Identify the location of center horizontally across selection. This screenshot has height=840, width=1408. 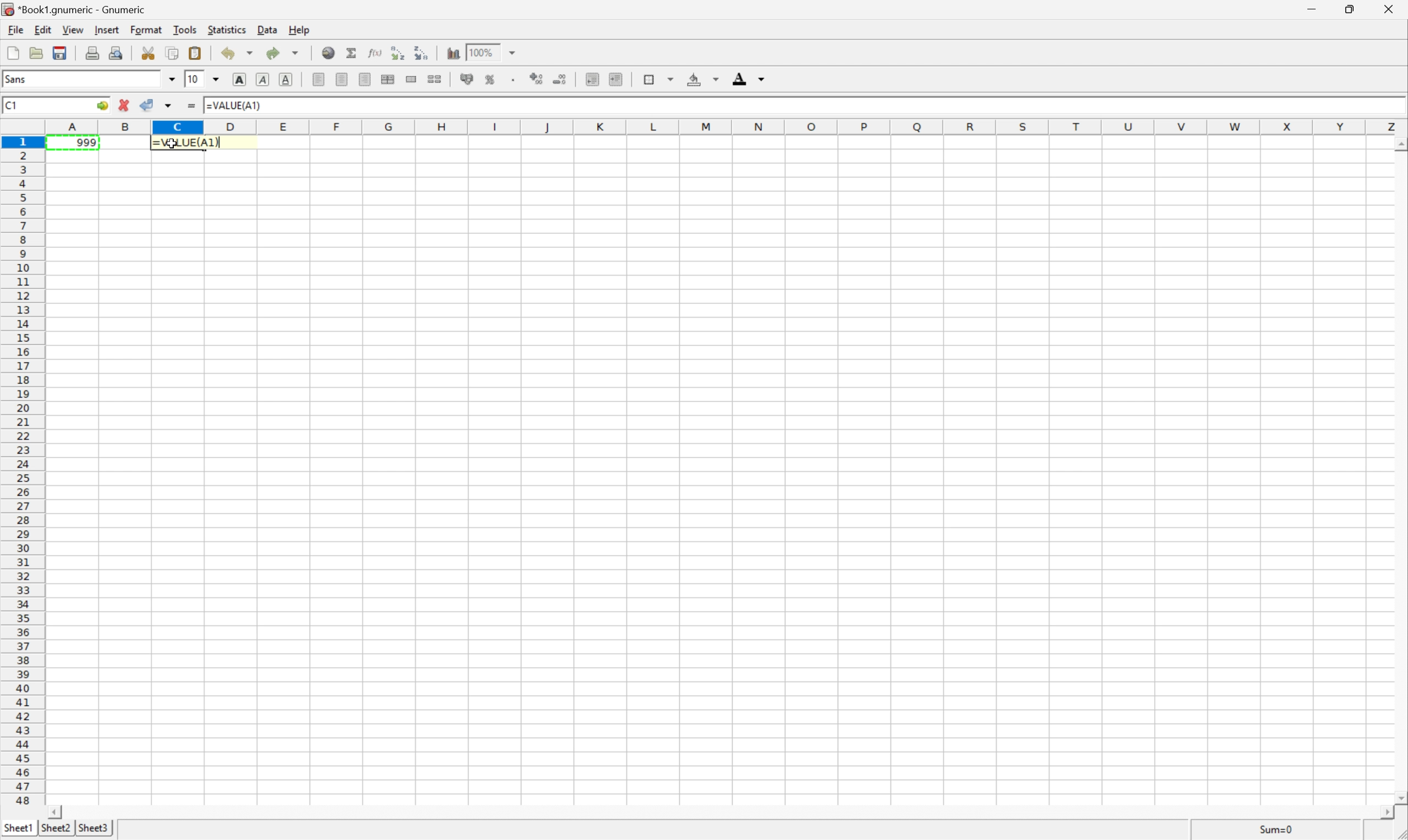
(390, 80).